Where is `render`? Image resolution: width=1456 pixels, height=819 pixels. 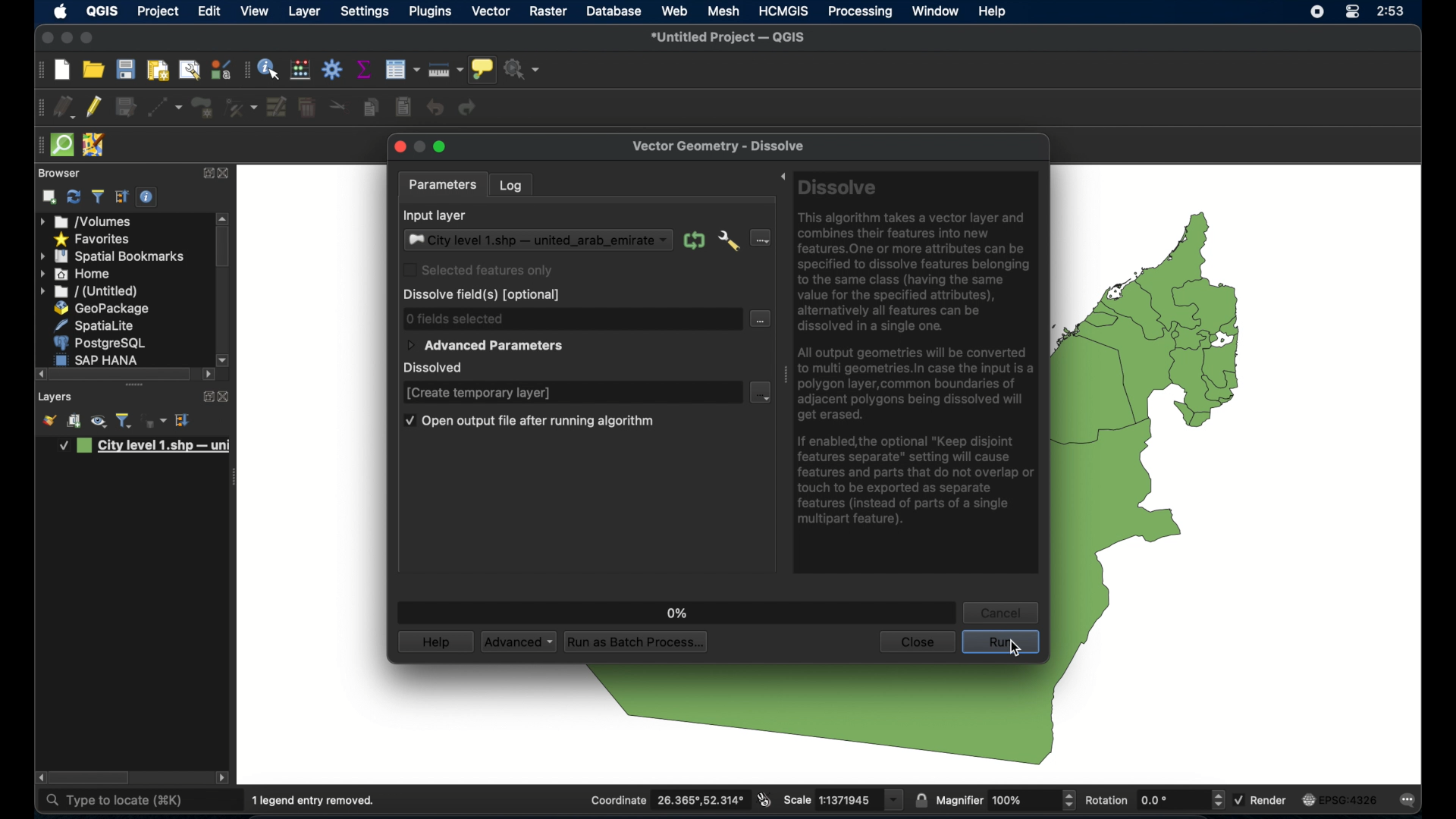
render is located at coordinates (1263, 800).